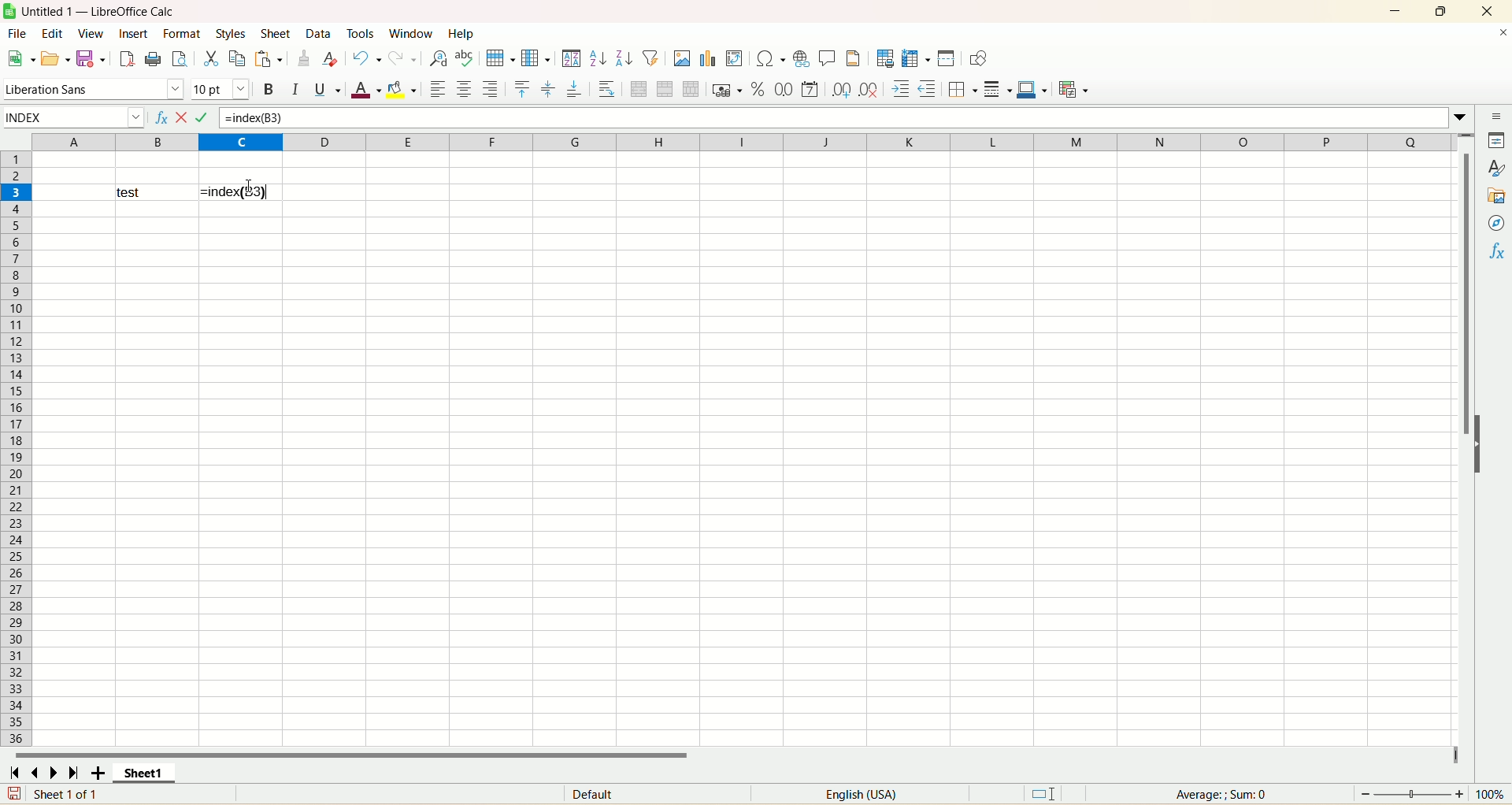 The width and height of the screenshot is (1512, 805). Describe the element at coordinates (606, 88) in the screenshot. I see `wrap text` at that location.